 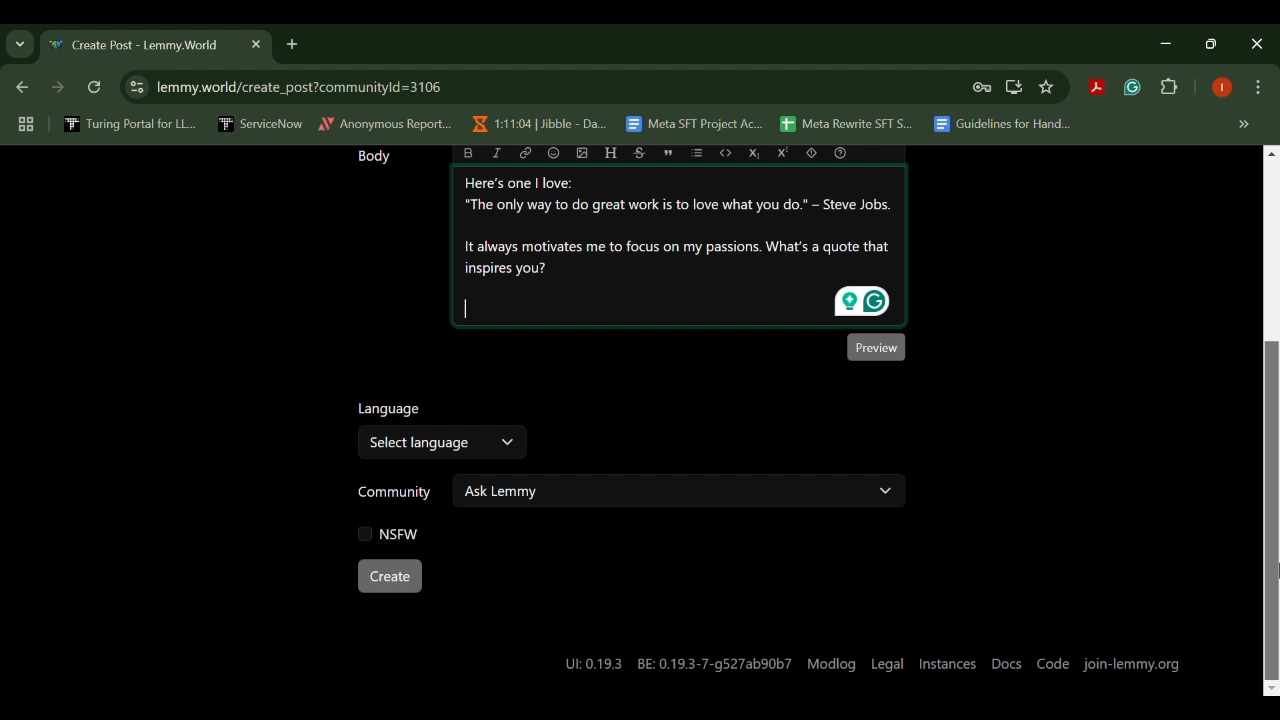 I want to click on DRAG_TO Cursor Position, so click(x=1272, y=572).